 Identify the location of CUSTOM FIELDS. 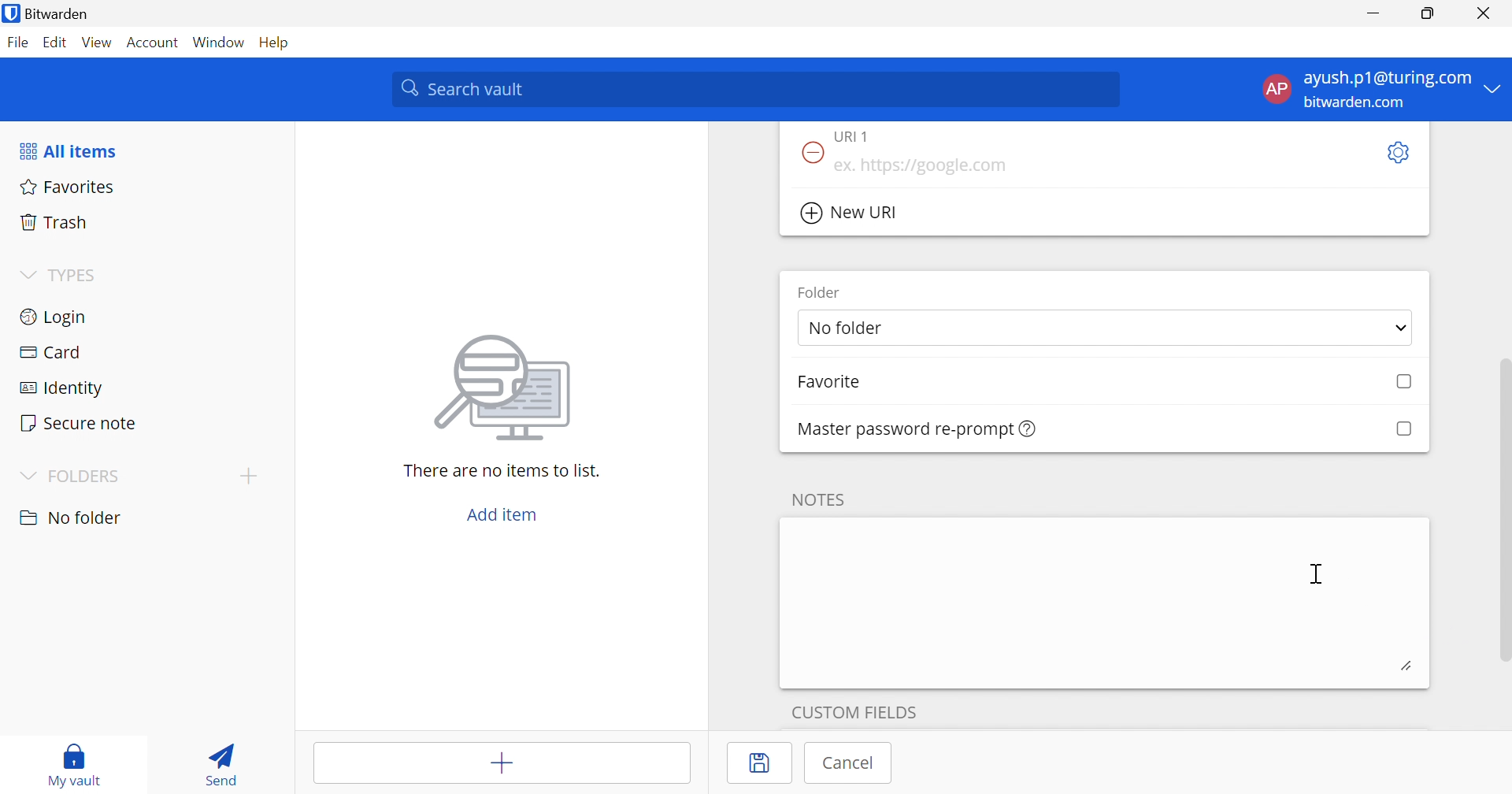
(854, 710).